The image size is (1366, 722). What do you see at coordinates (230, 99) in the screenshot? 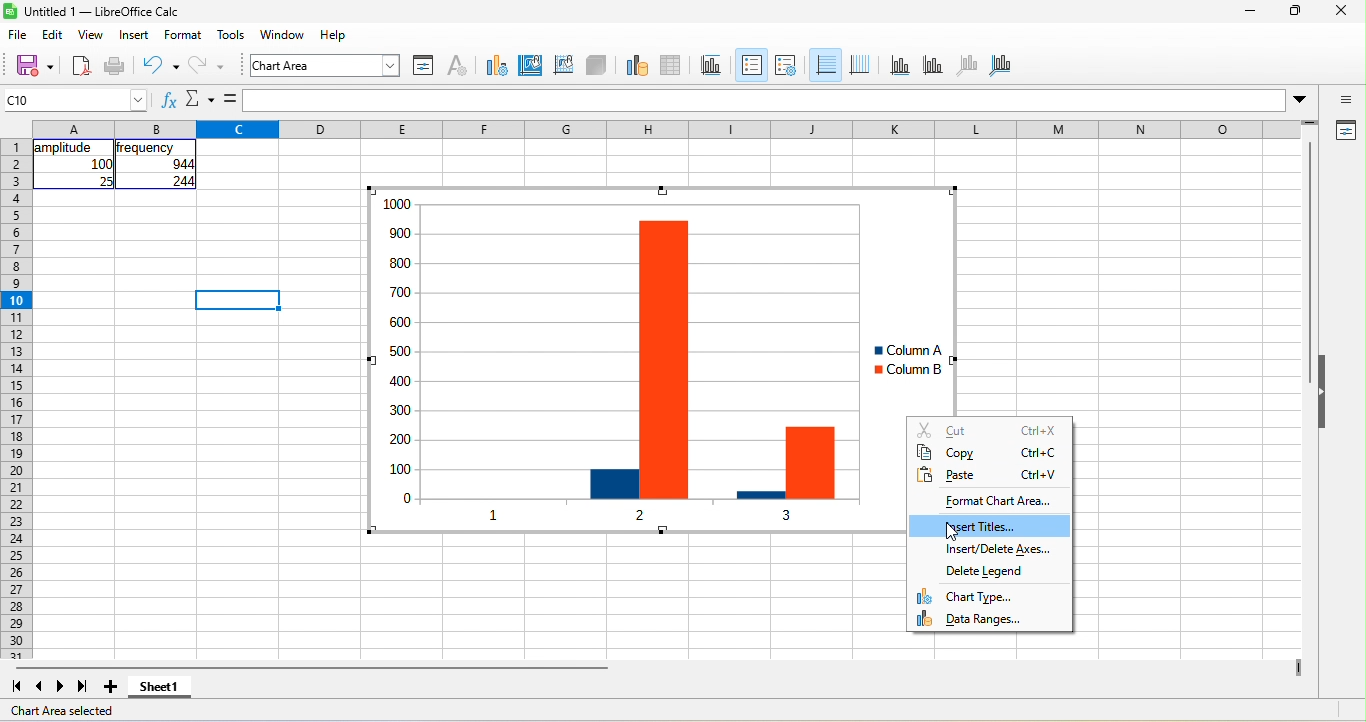
I see `is equal to symbol` at bounding box center [230, 99].